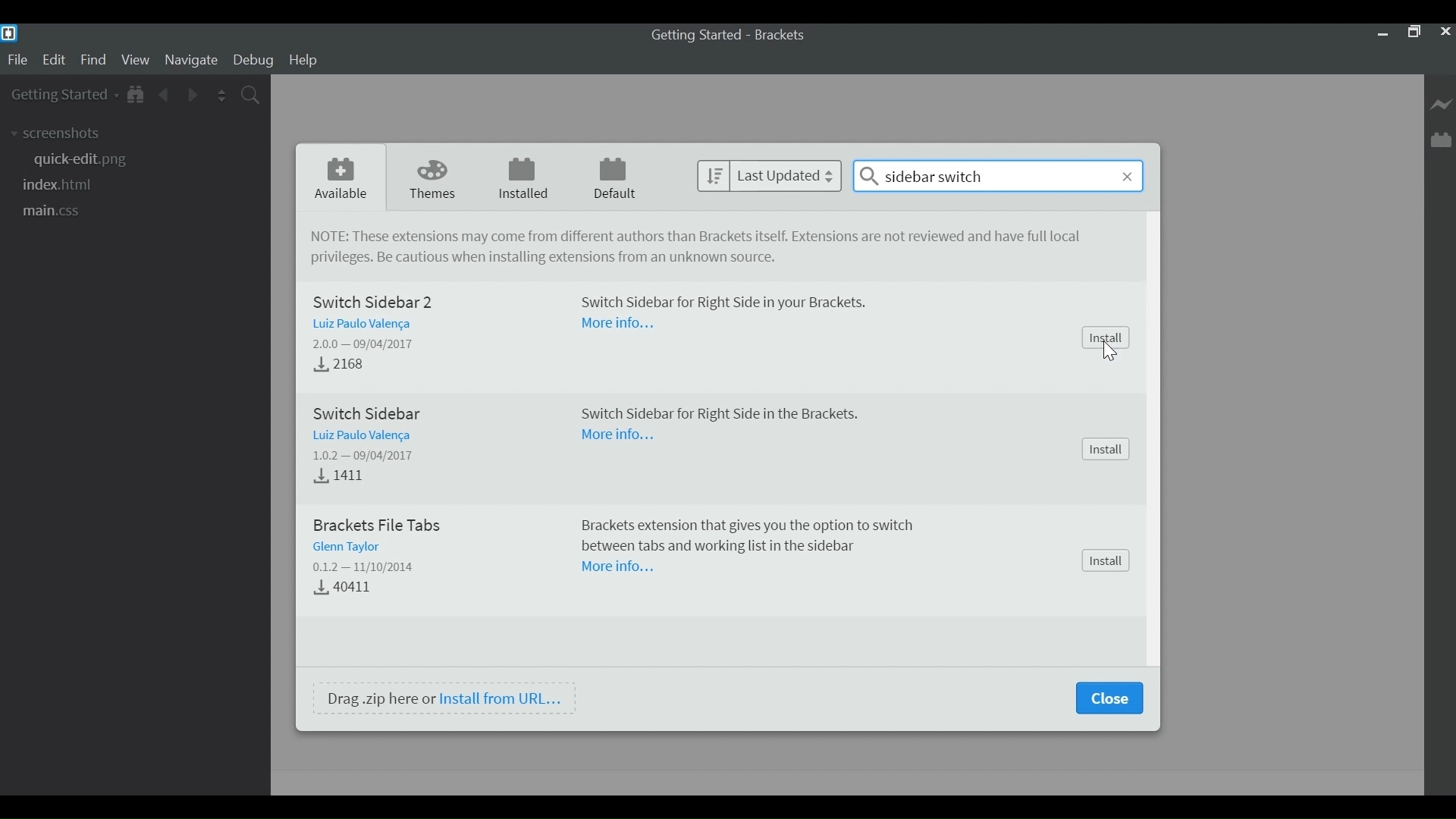 The image size is (1456, 819). Describe the element at coordinates (337, 366) in the screenshot. I see `2168` at that location.